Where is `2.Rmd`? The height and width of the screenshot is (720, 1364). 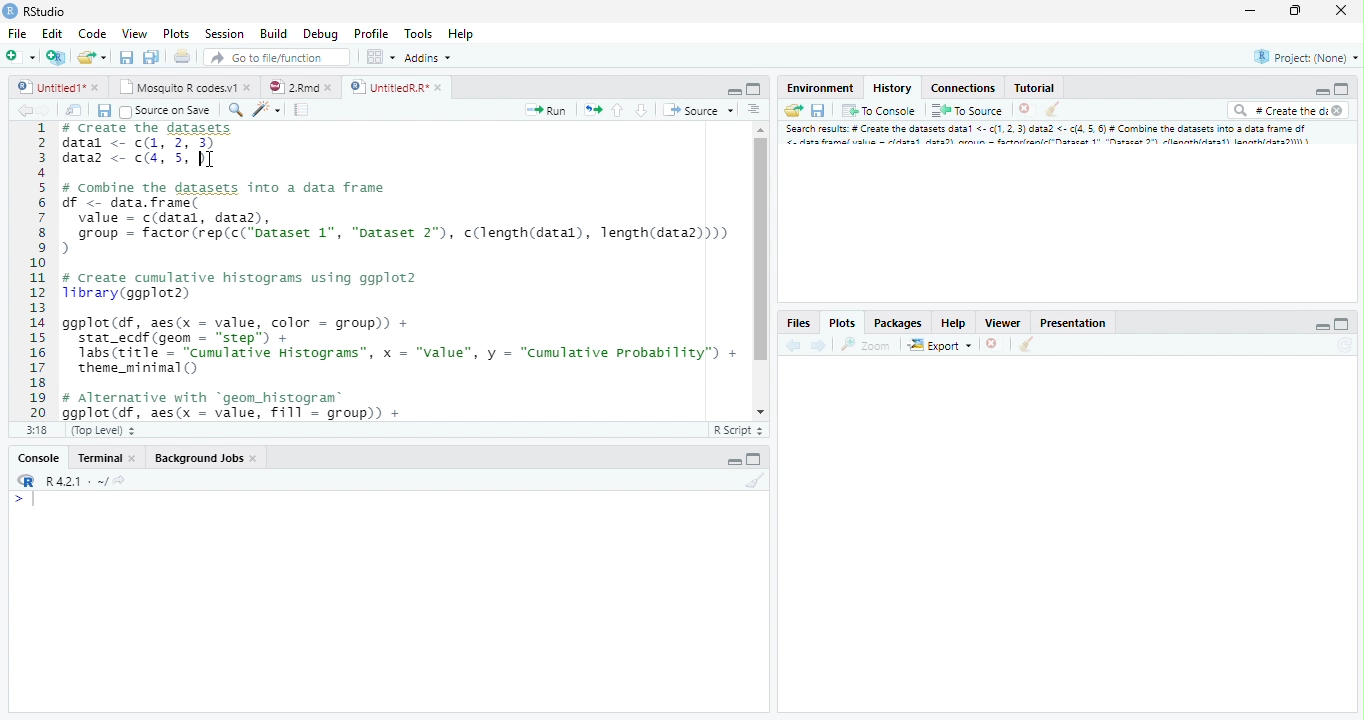
2.Rmd is located at coordinates (298, 85).